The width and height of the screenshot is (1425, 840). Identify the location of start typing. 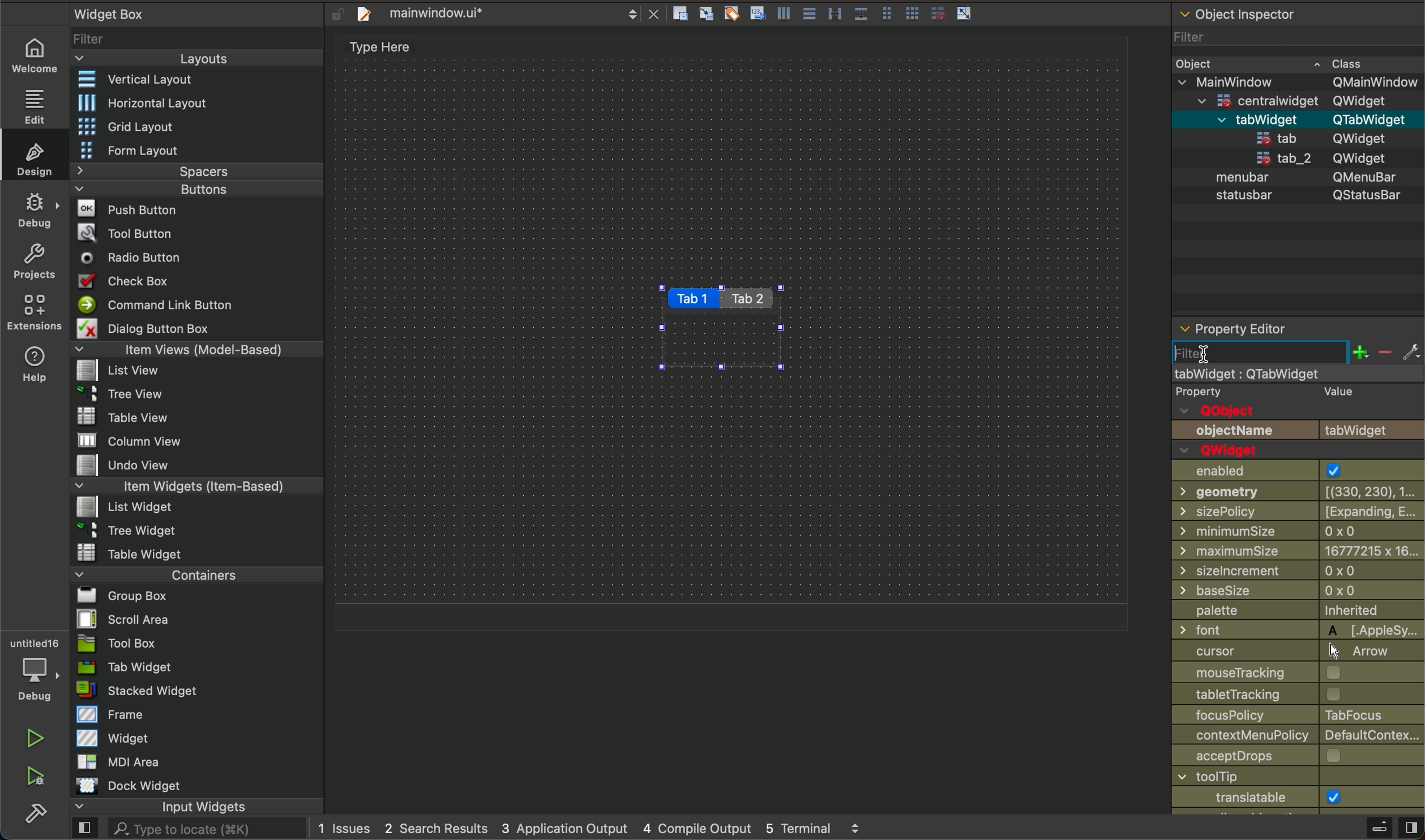
(1264, 355).